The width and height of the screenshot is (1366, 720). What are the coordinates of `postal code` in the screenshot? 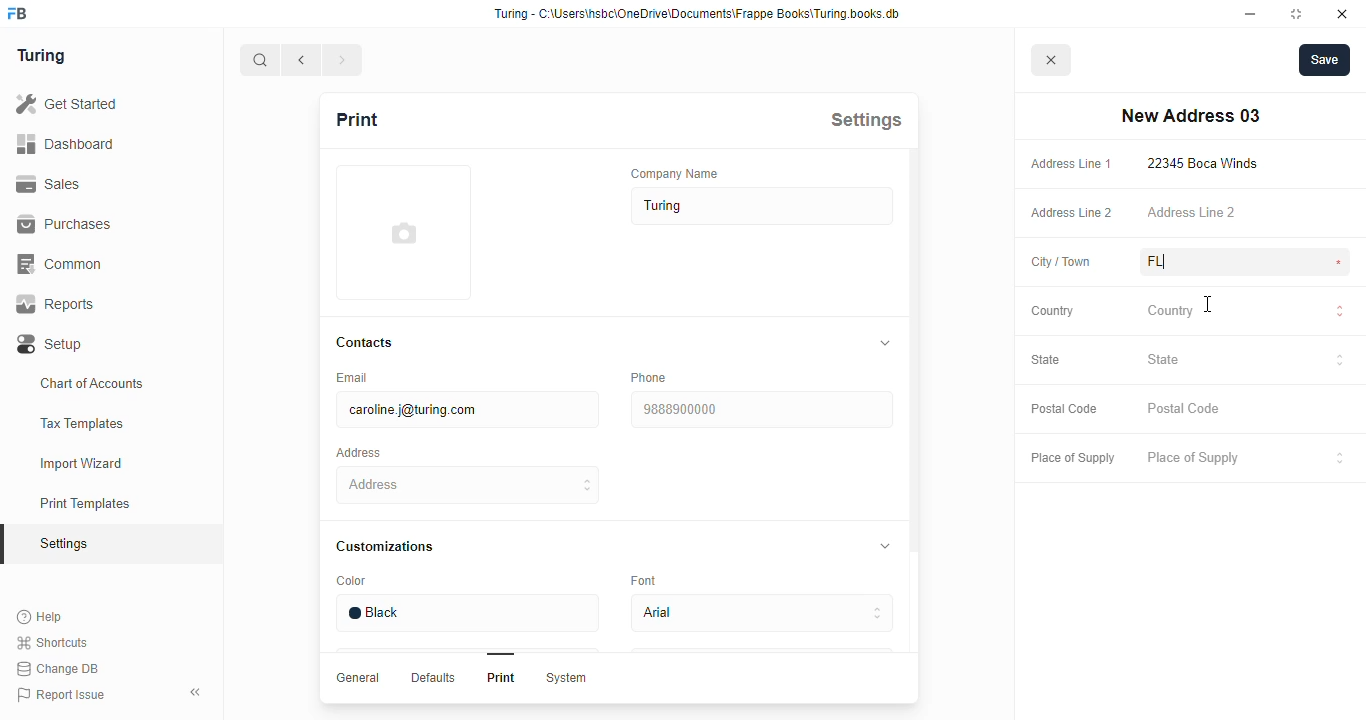 It's located at (1063, 409).